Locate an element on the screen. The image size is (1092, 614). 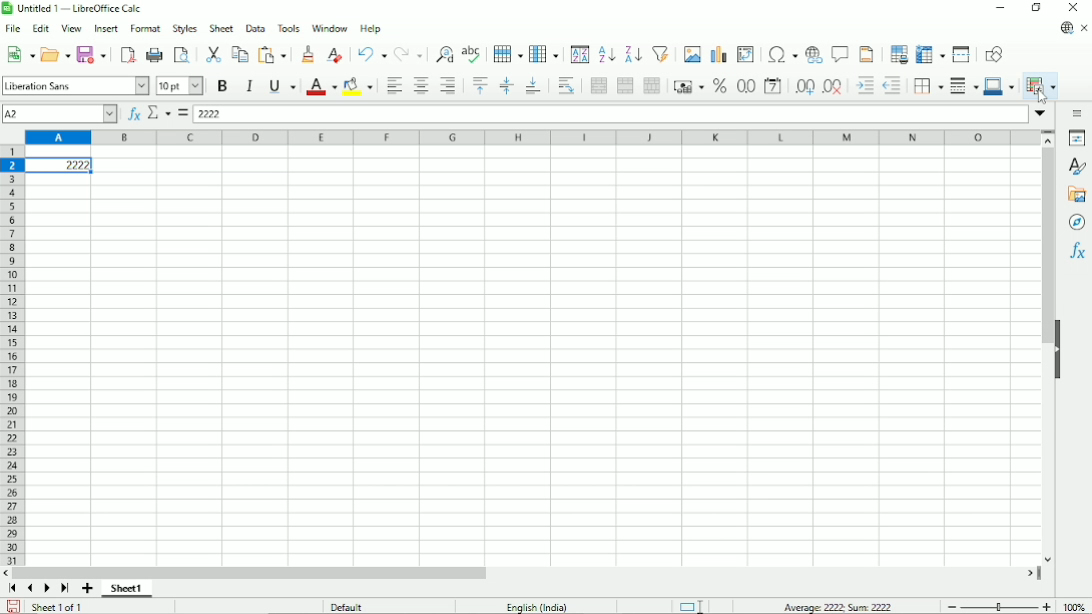
Gallery is located at coordinates (1076, 195).